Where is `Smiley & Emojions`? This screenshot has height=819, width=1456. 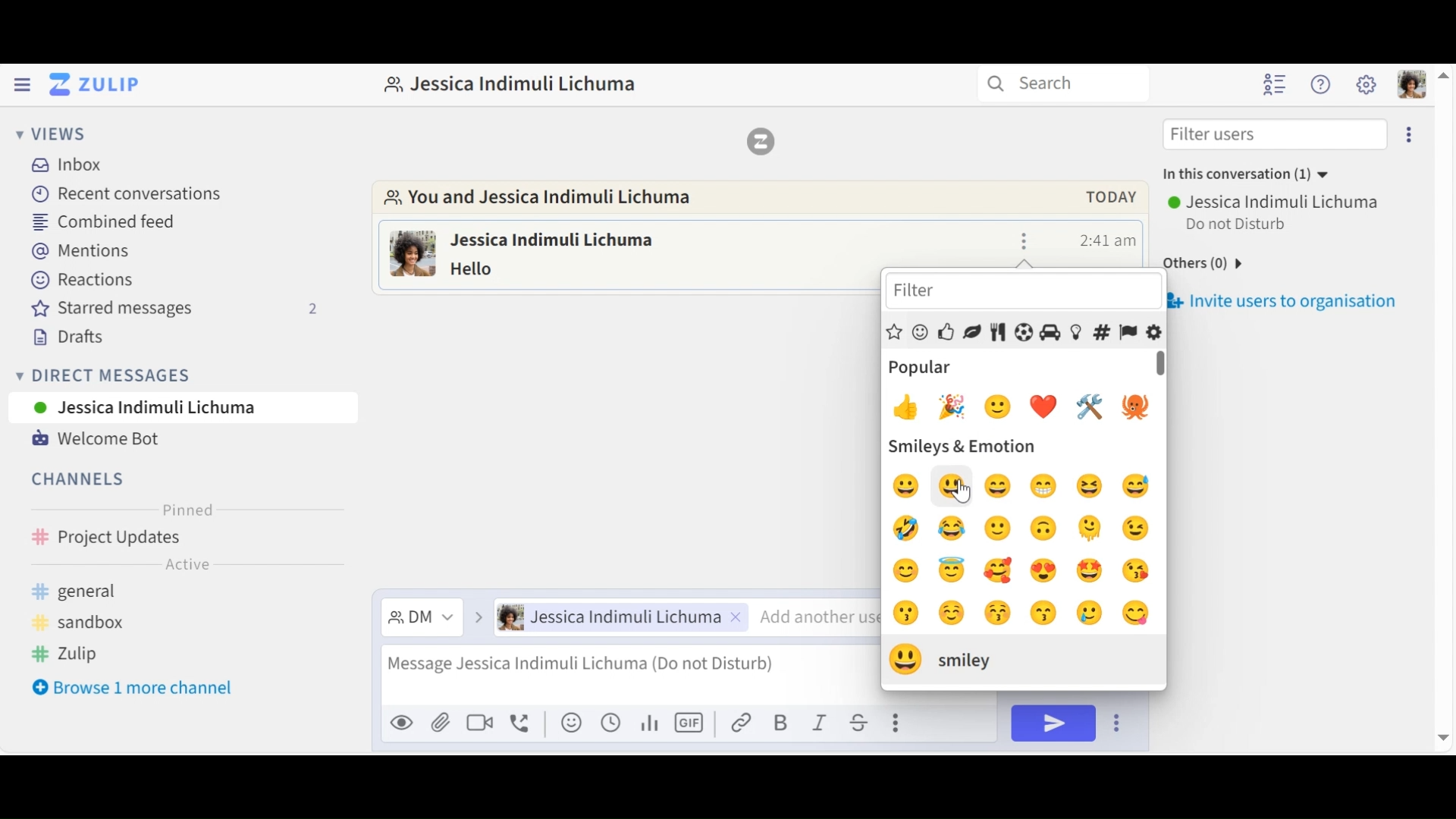 Smiley & Emojions is located at coordinates (921, 334).